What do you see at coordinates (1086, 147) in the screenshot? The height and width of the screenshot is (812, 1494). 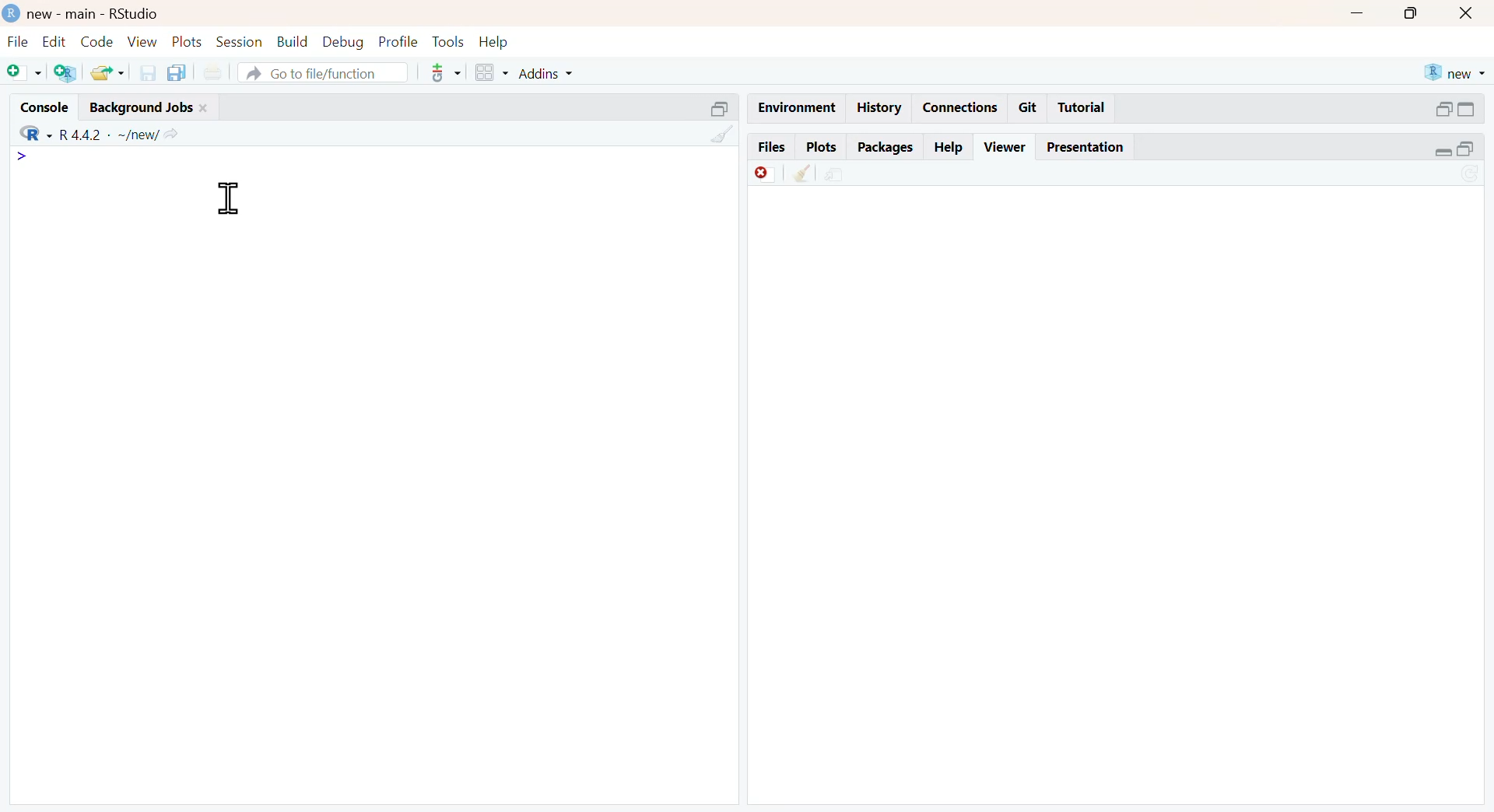 I see `presentation` at bounding box center [1086, 147].